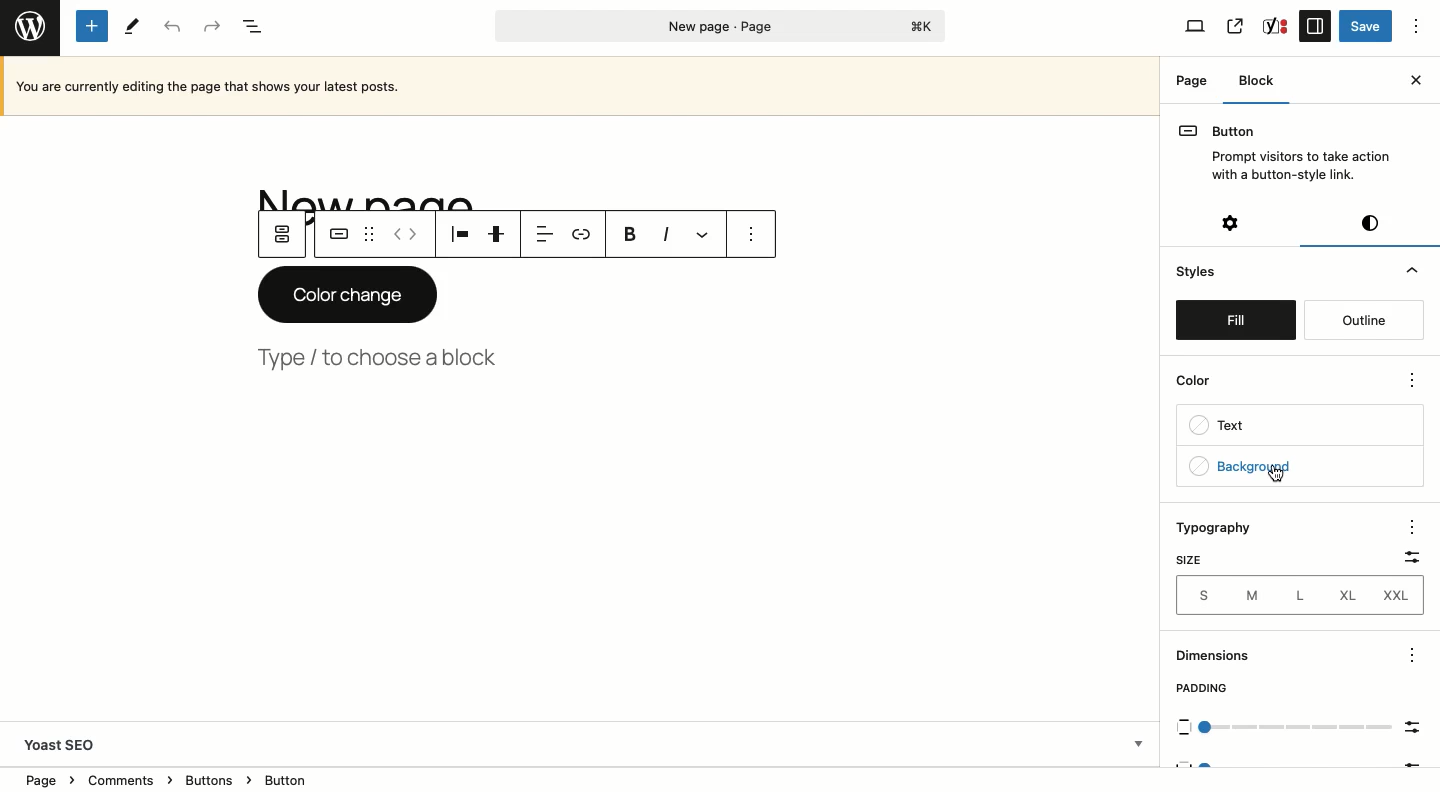 This screenshot has height=792, width=1440. I want to click on Move left right, so click(405, 235).